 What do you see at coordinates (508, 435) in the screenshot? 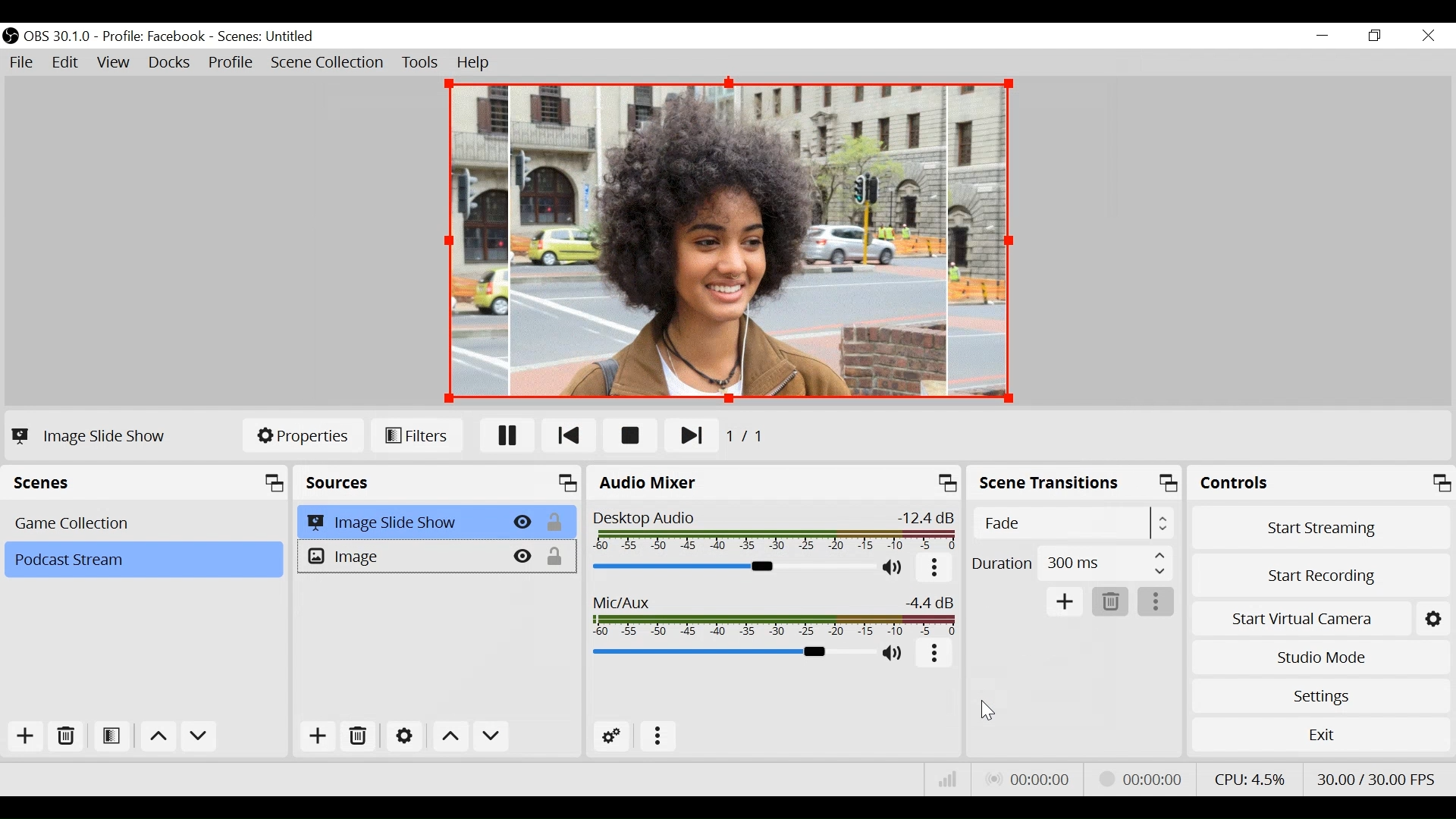
I see `Pause/Play` at bounding box center [508, 435].